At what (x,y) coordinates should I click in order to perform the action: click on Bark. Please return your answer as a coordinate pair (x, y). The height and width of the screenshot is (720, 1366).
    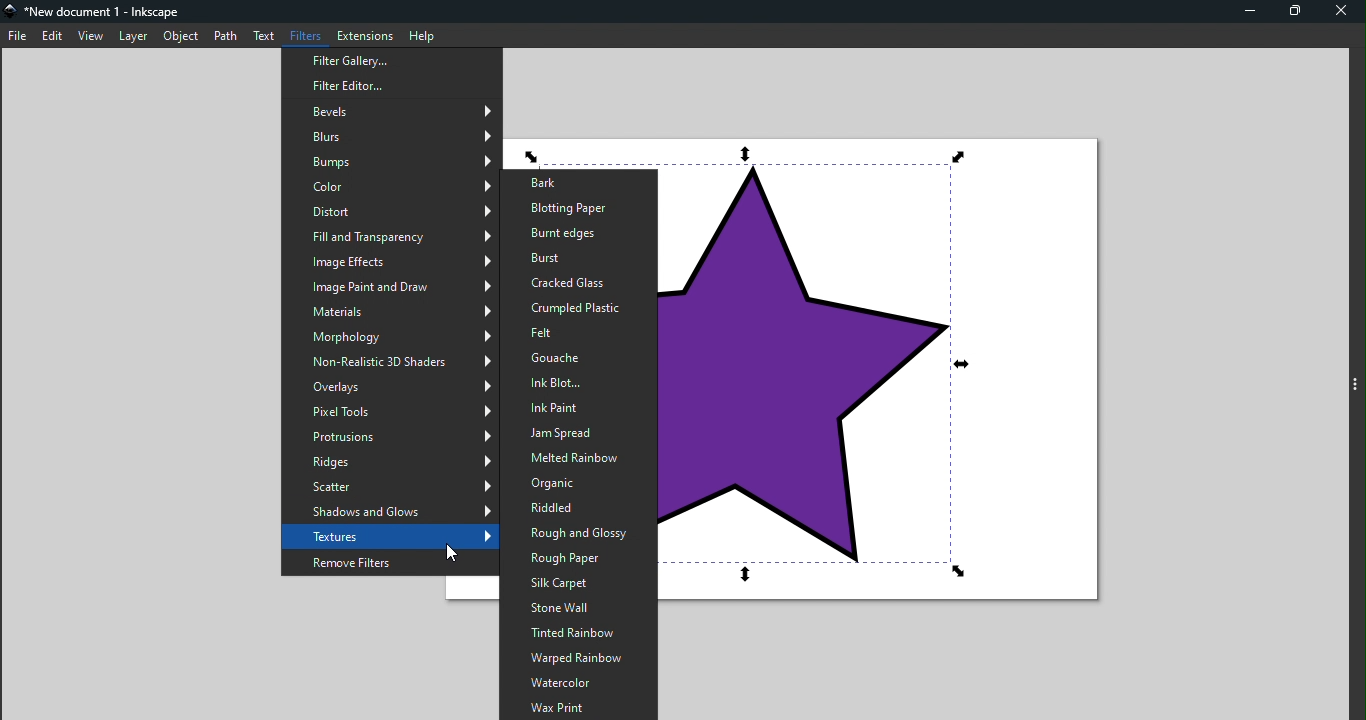
    Looking at the image, I should click on (576, 182).